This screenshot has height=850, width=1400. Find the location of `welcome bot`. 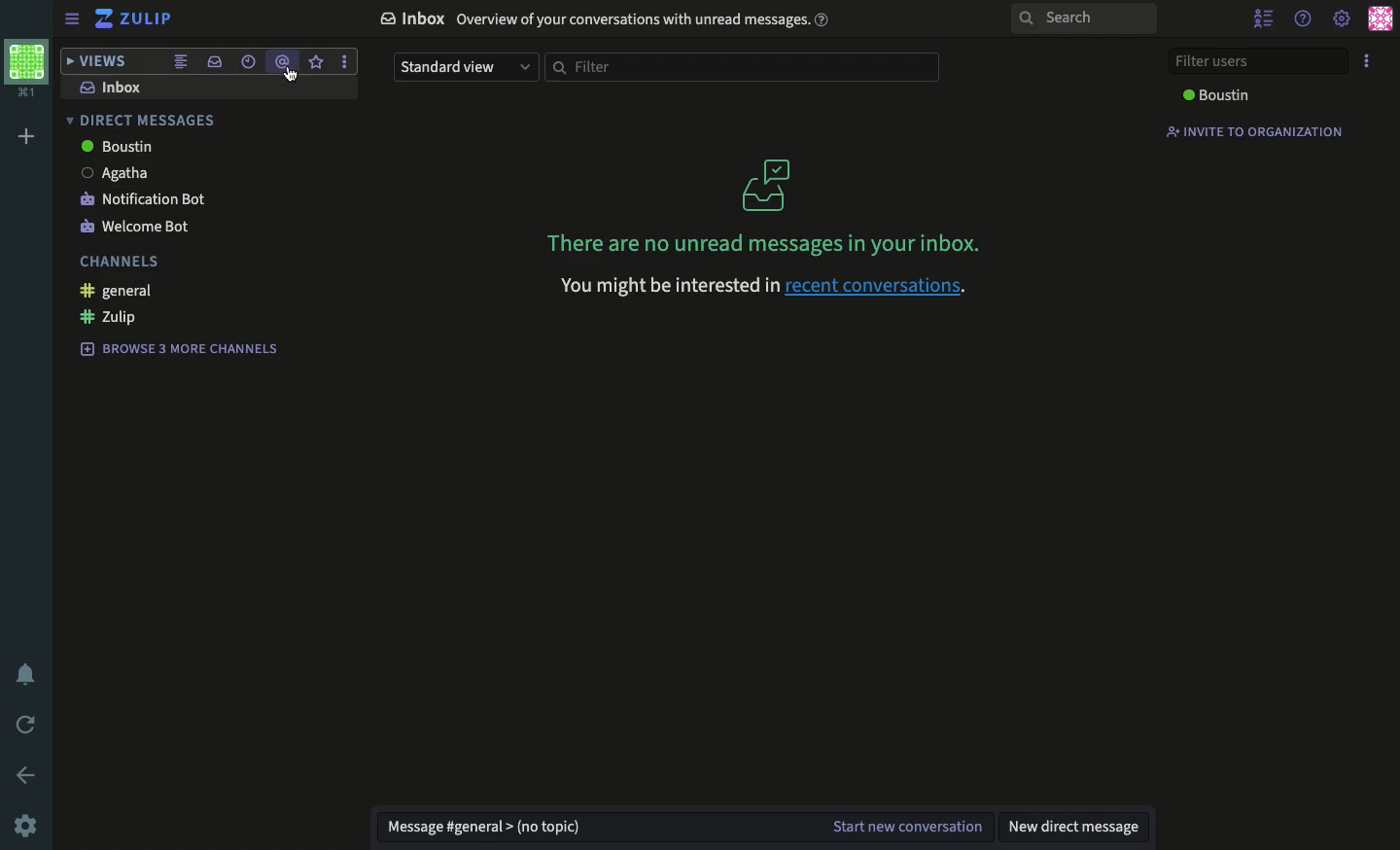

welcome bot is located at coordinates (135, 226).